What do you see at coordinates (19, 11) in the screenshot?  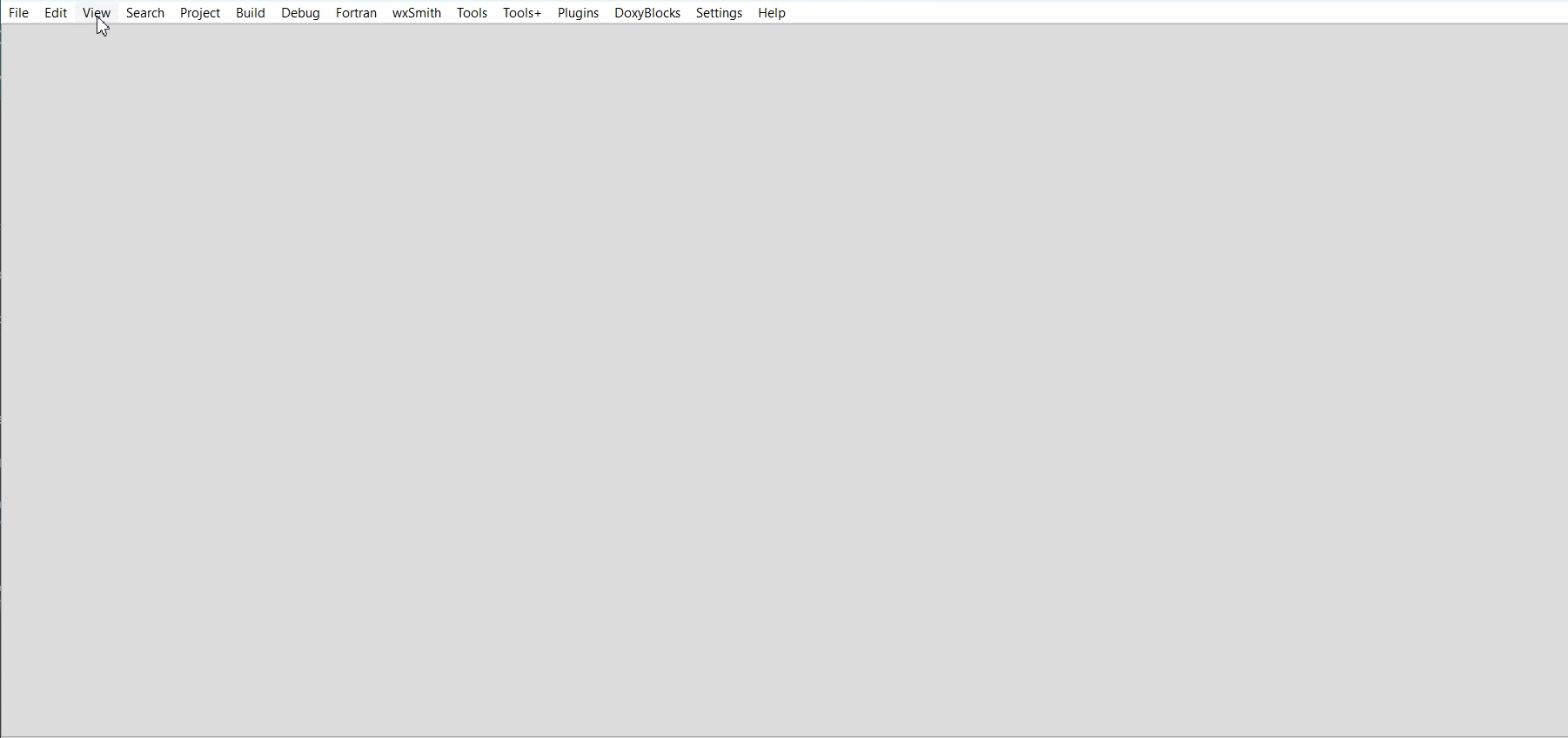 I see `File` at bounding box center [19, 11].